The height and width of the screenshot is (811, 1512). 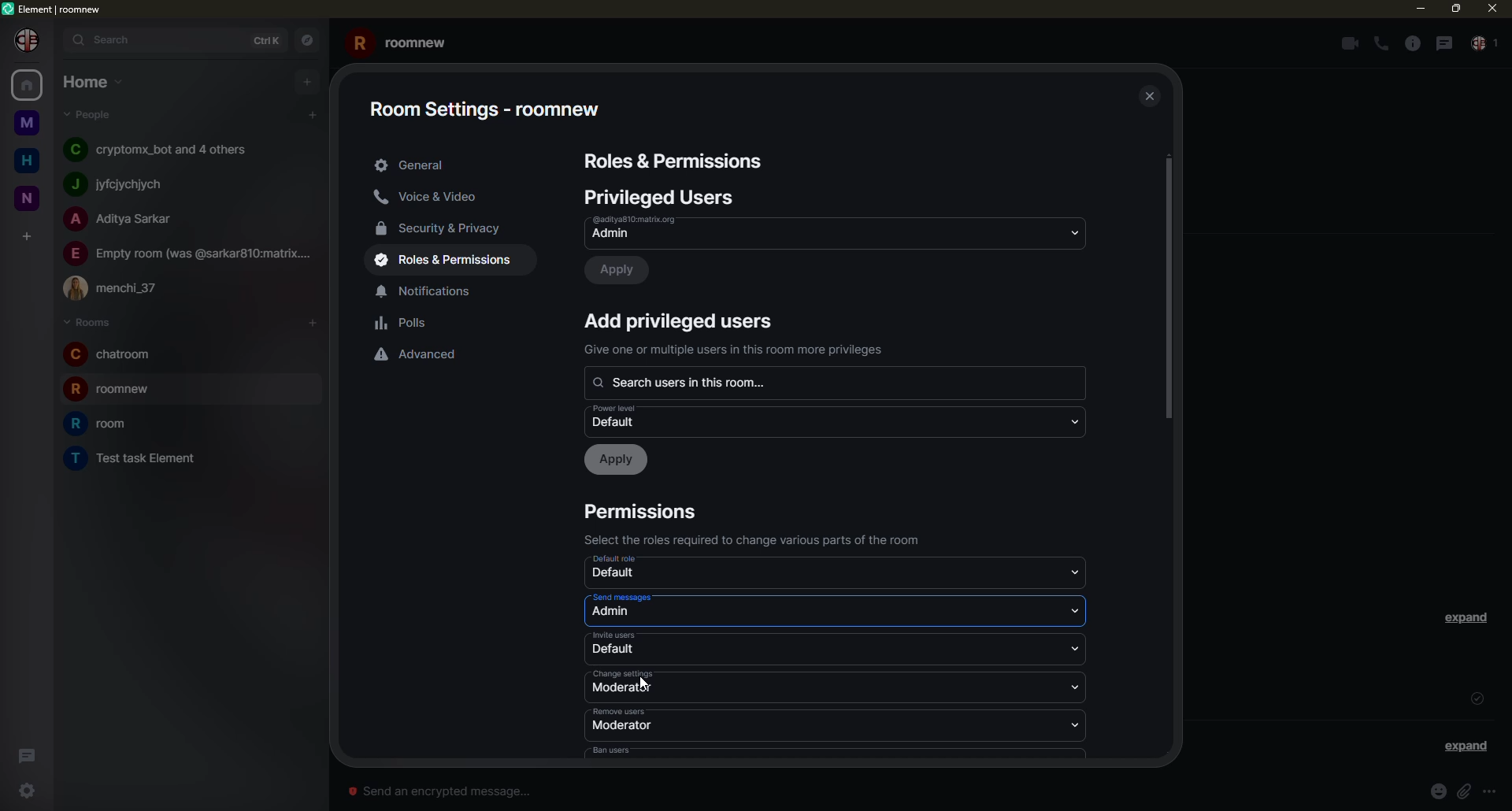 What do you see at coordinates (1420, 9) in the screenshot?
I see `mi` at bounding box center [1420, 9].